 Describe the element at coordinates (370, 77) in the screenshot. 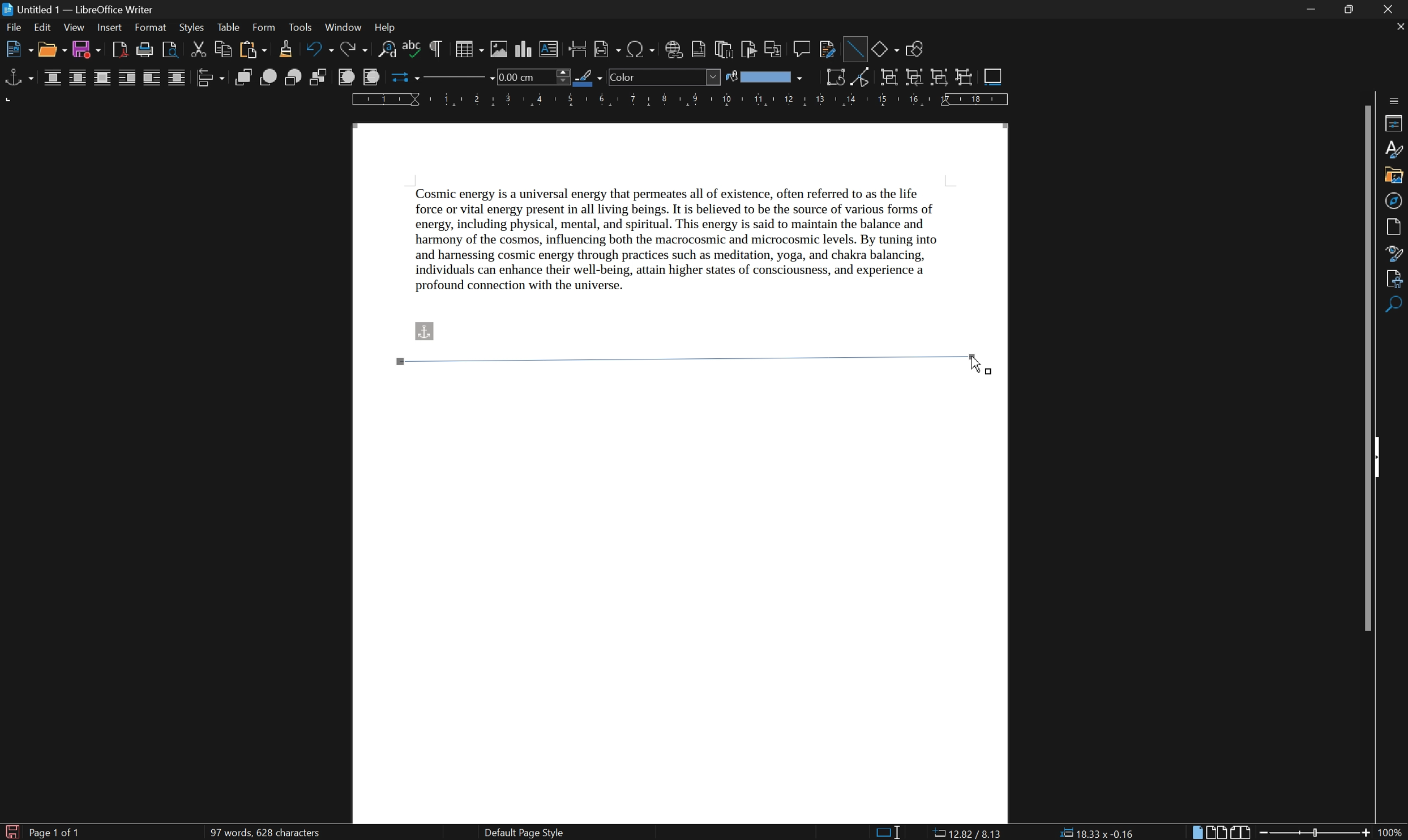

I see `to background` at that location.